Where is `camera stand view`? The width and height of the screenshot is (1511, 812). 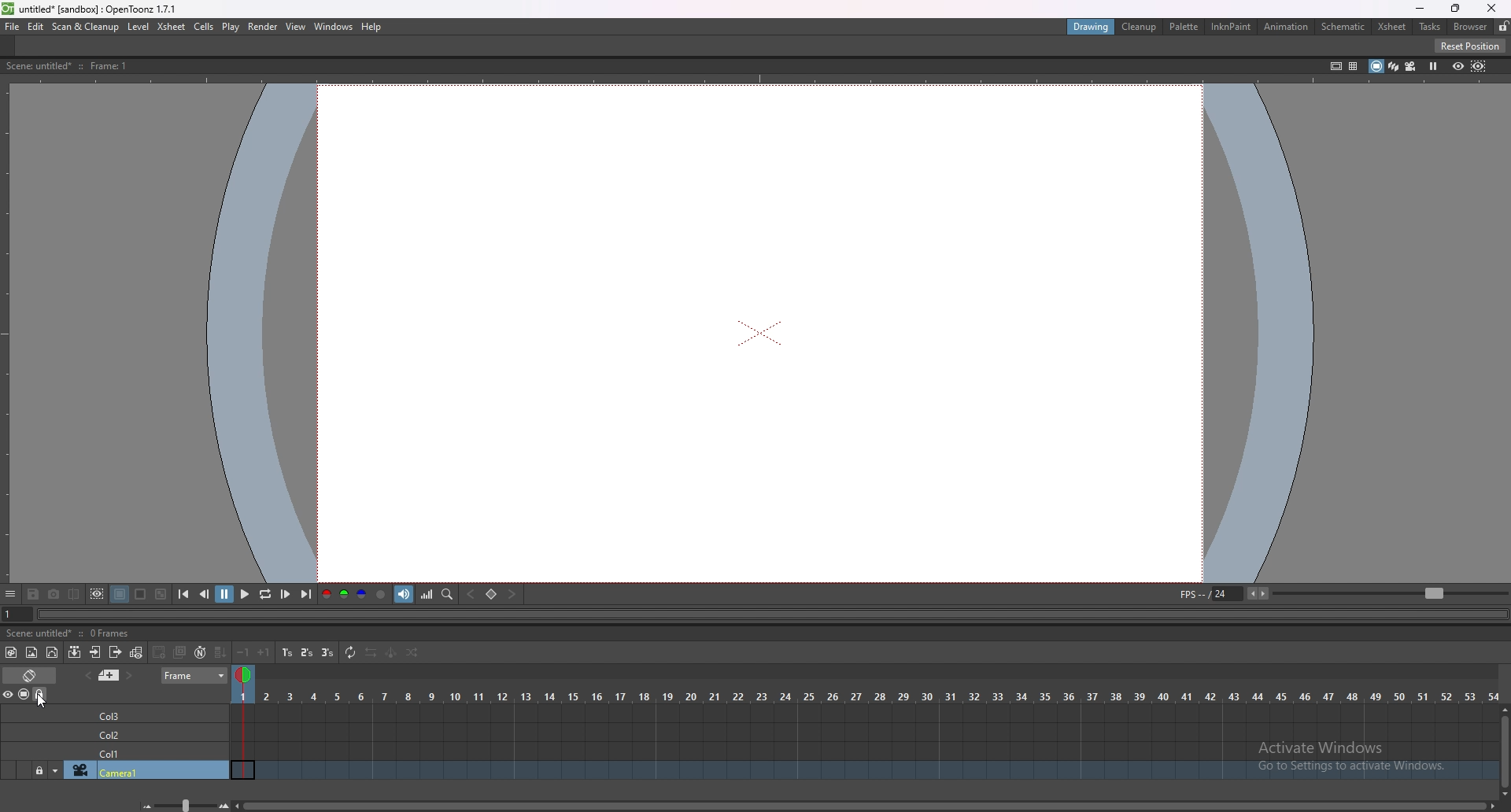
camera stand view is located at coordinates (1373, 65).